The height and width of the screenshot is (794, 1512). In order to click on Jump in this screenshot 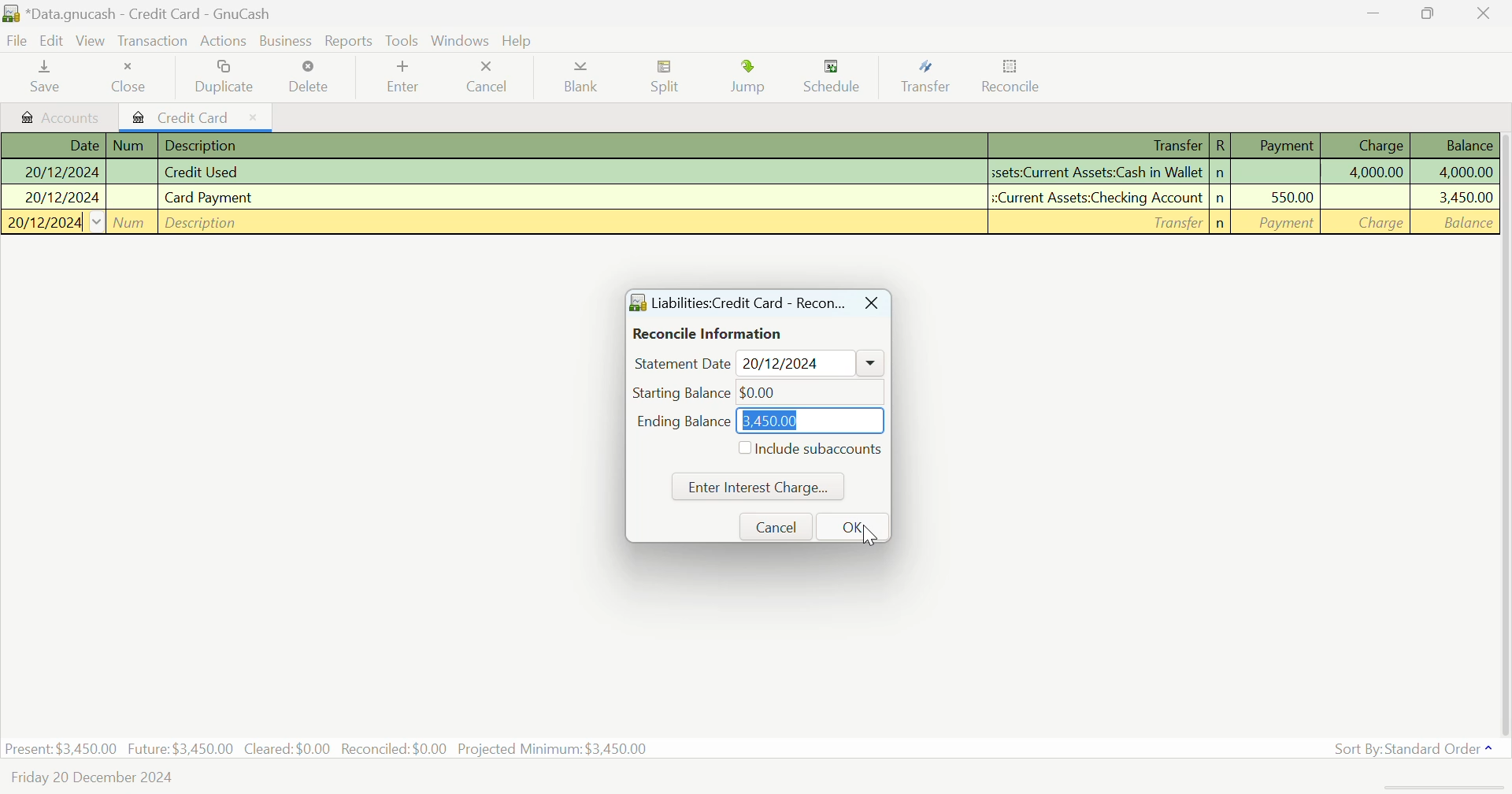, I will do `click(748, 79)`.